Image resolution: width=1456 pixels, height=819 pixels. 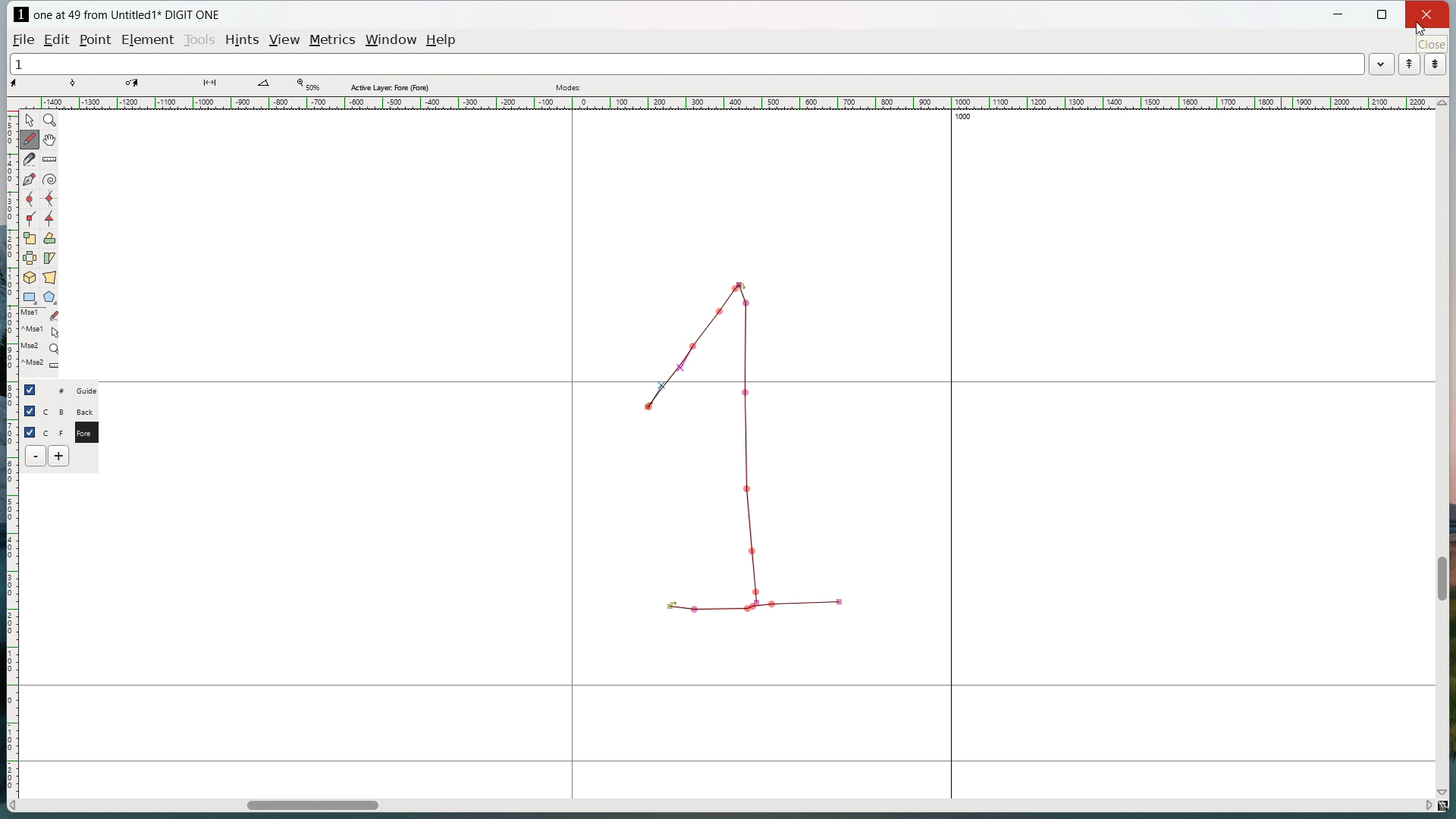 What do you see at coordinates (98, 39) in the screenshot?
I see `Point` at bounding box center [98, 39].